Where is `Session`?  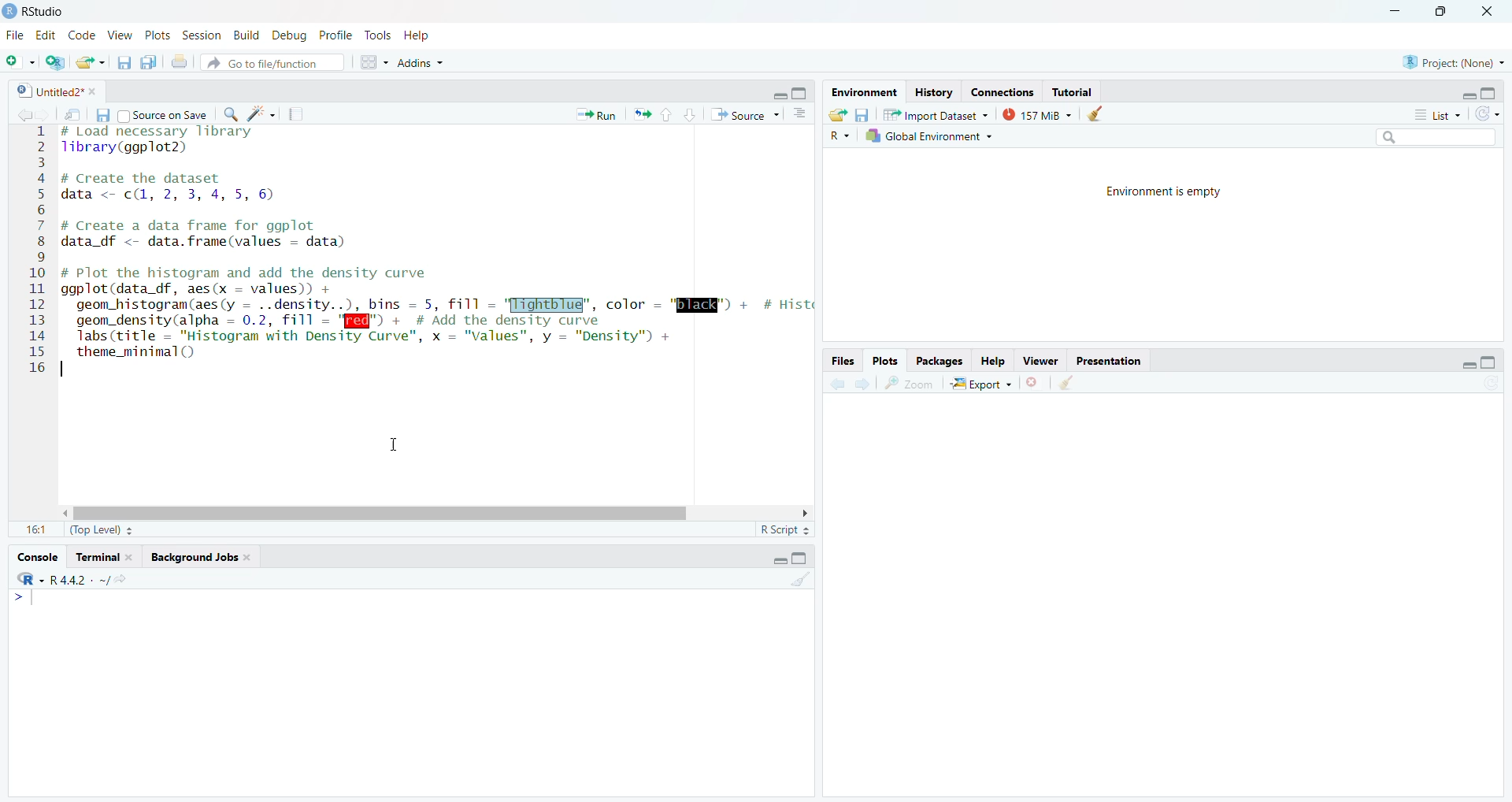 Session is located at coordinates (203, 34).